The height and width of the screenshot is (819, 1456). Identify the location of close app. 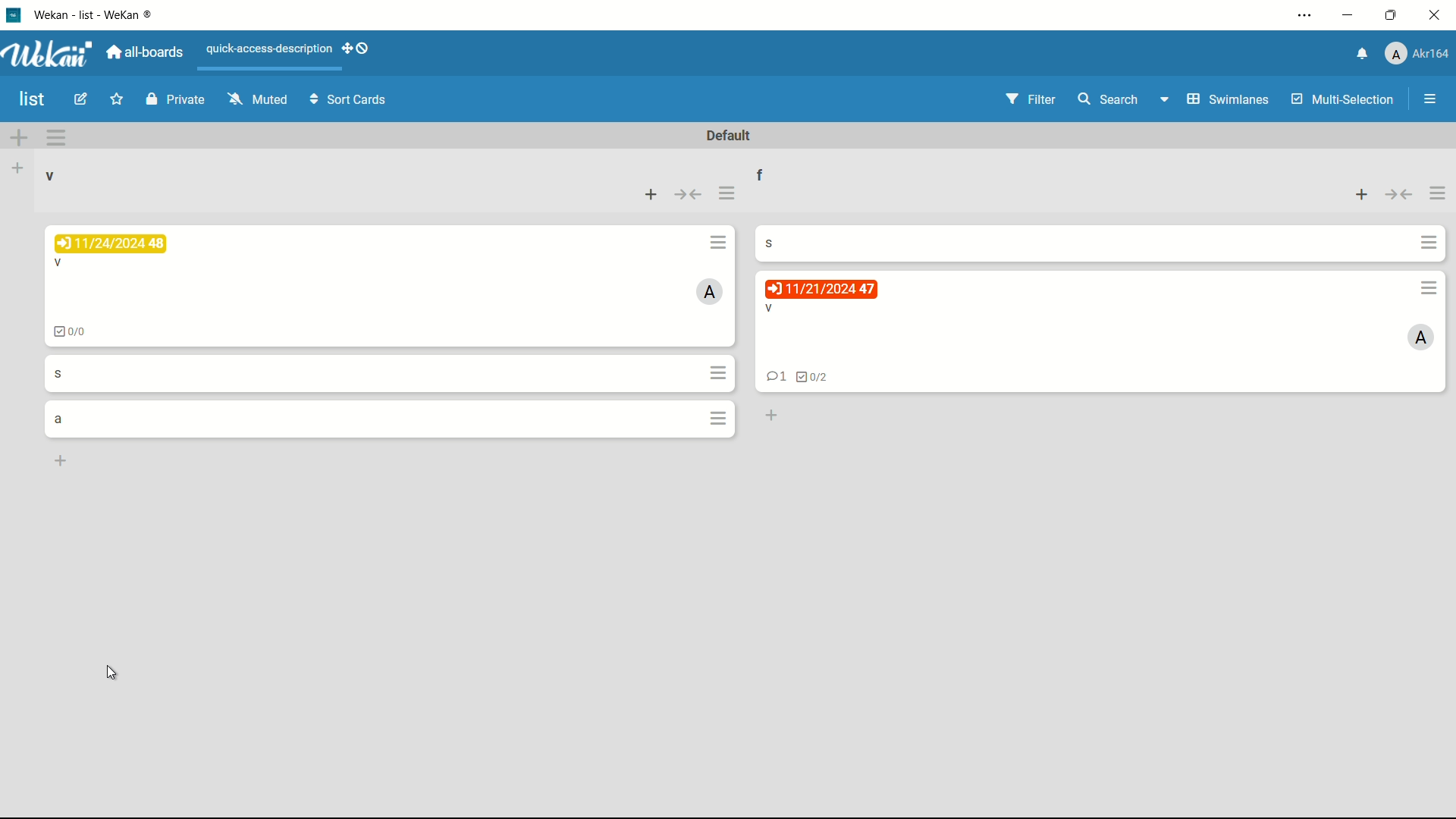
(1435, 15).